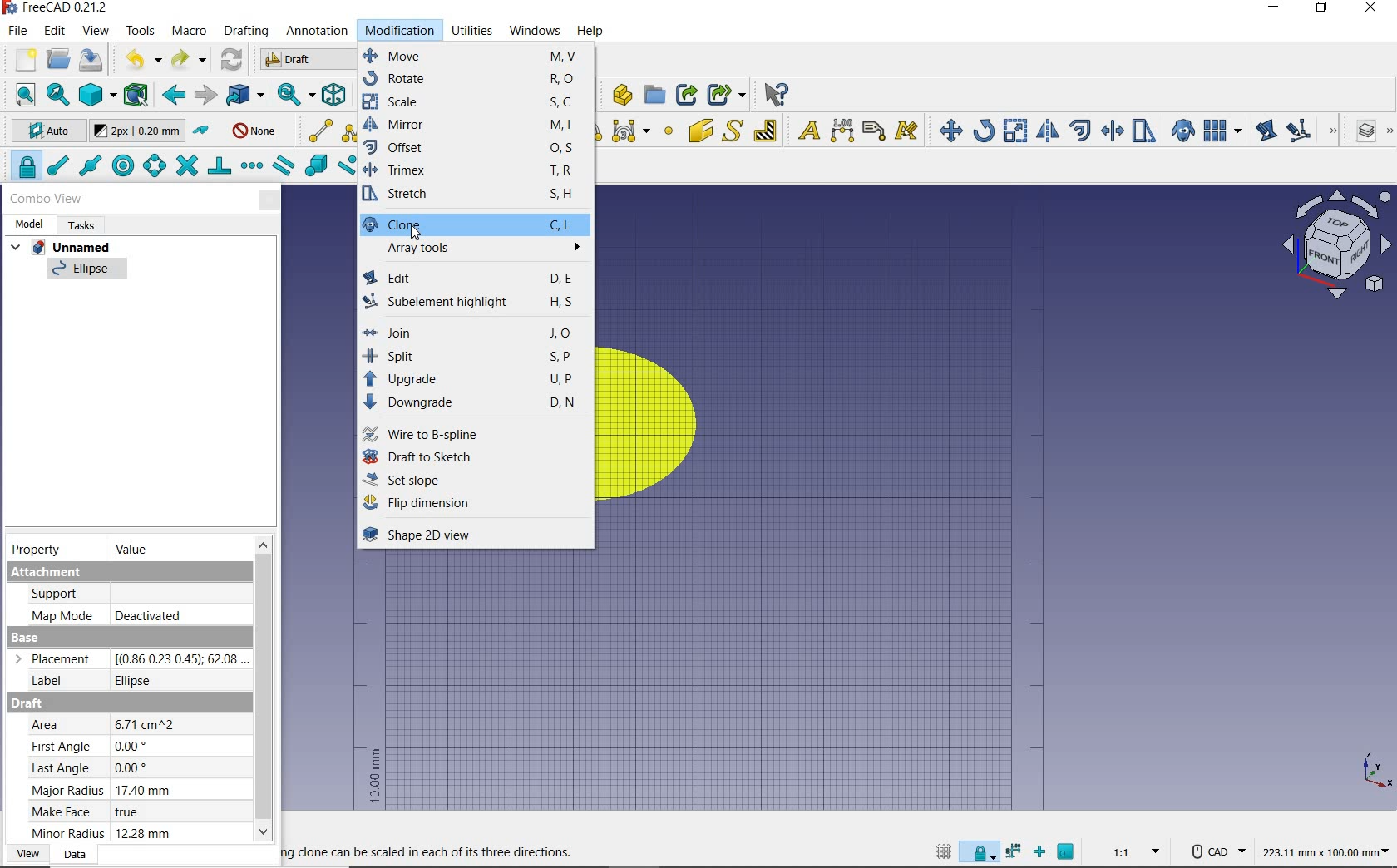 This screenshot has height=868, width=1397. What do you see at coordinates (806, 128) in the screenshot?
I see `text` at bounding box center [806, 128].